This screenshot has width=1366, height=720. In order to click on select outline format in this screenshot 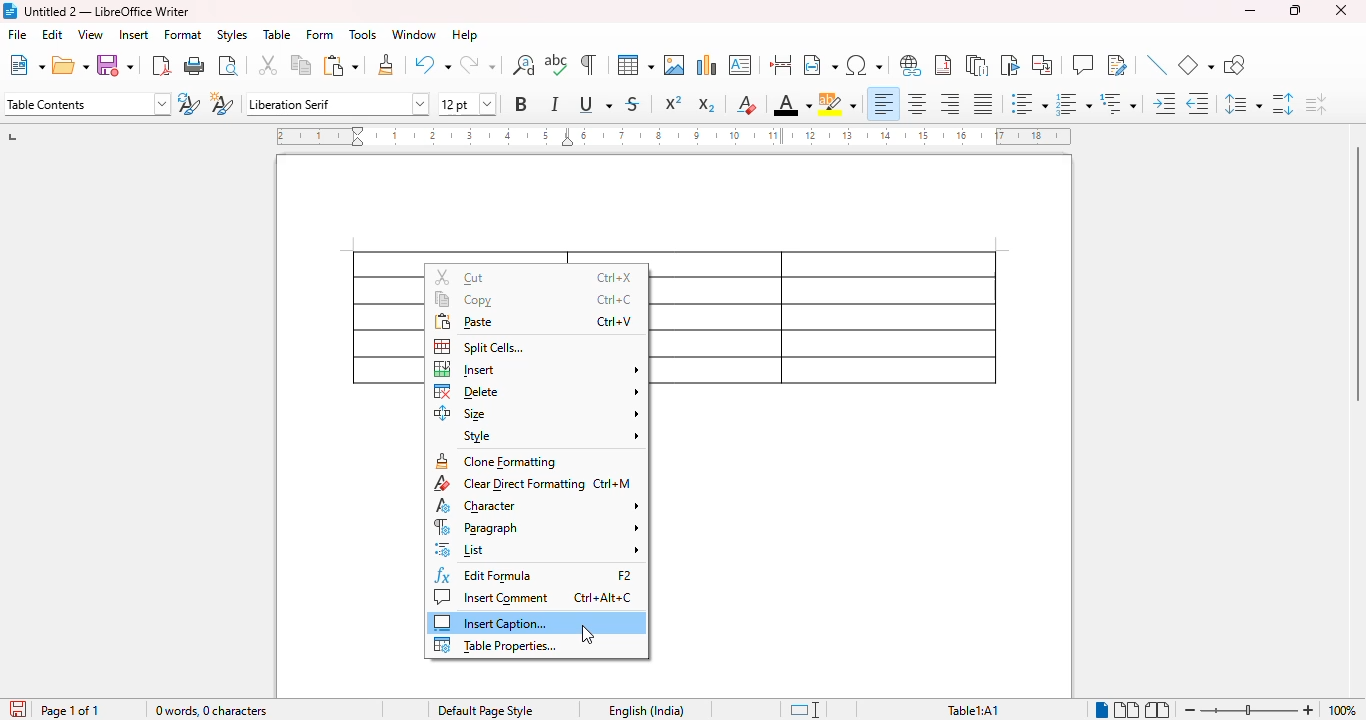, I will do `click(1118, 103)`.